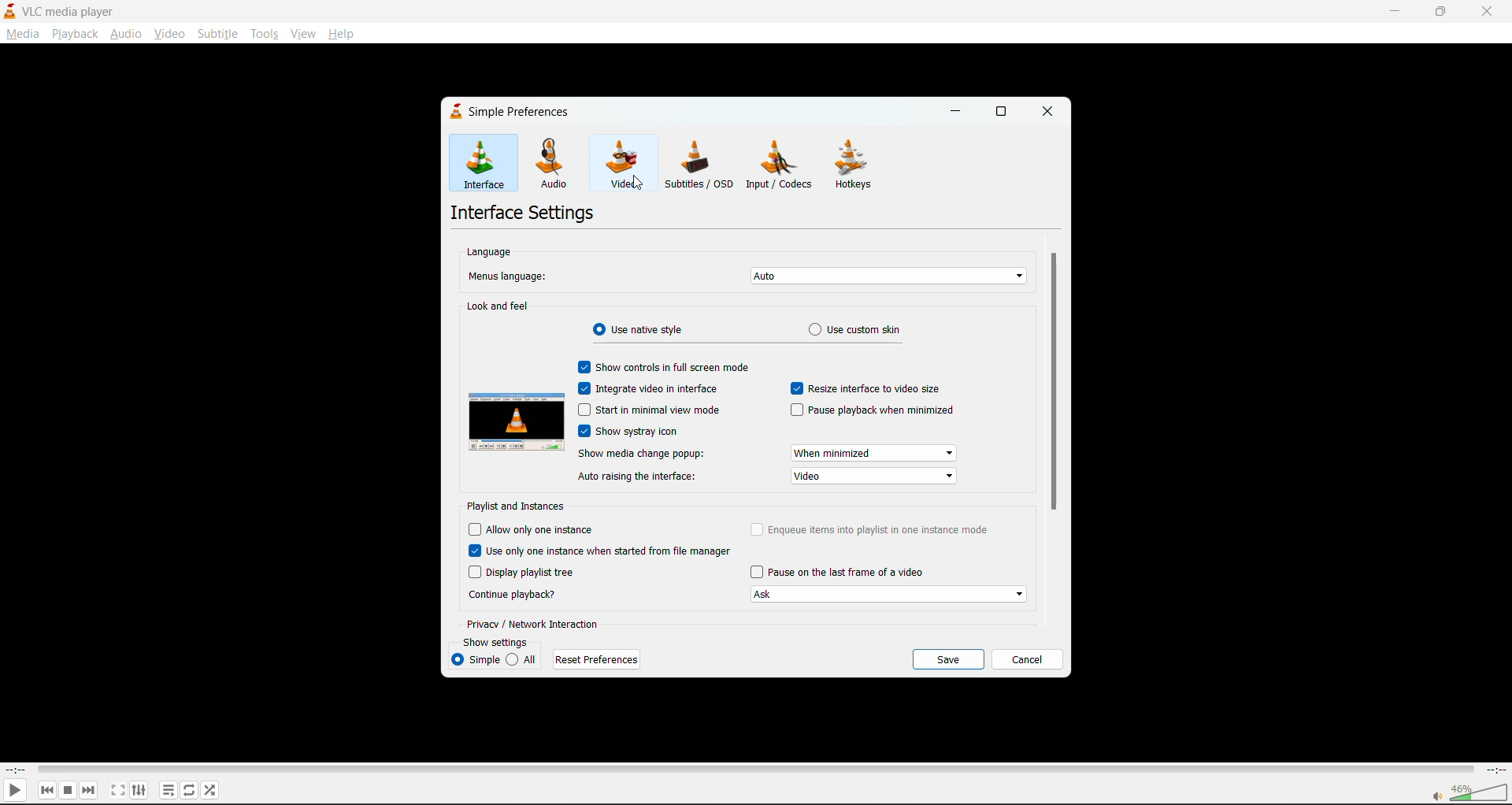 The image size is (1512, 805). I want to click on playback, so click(76, 34).